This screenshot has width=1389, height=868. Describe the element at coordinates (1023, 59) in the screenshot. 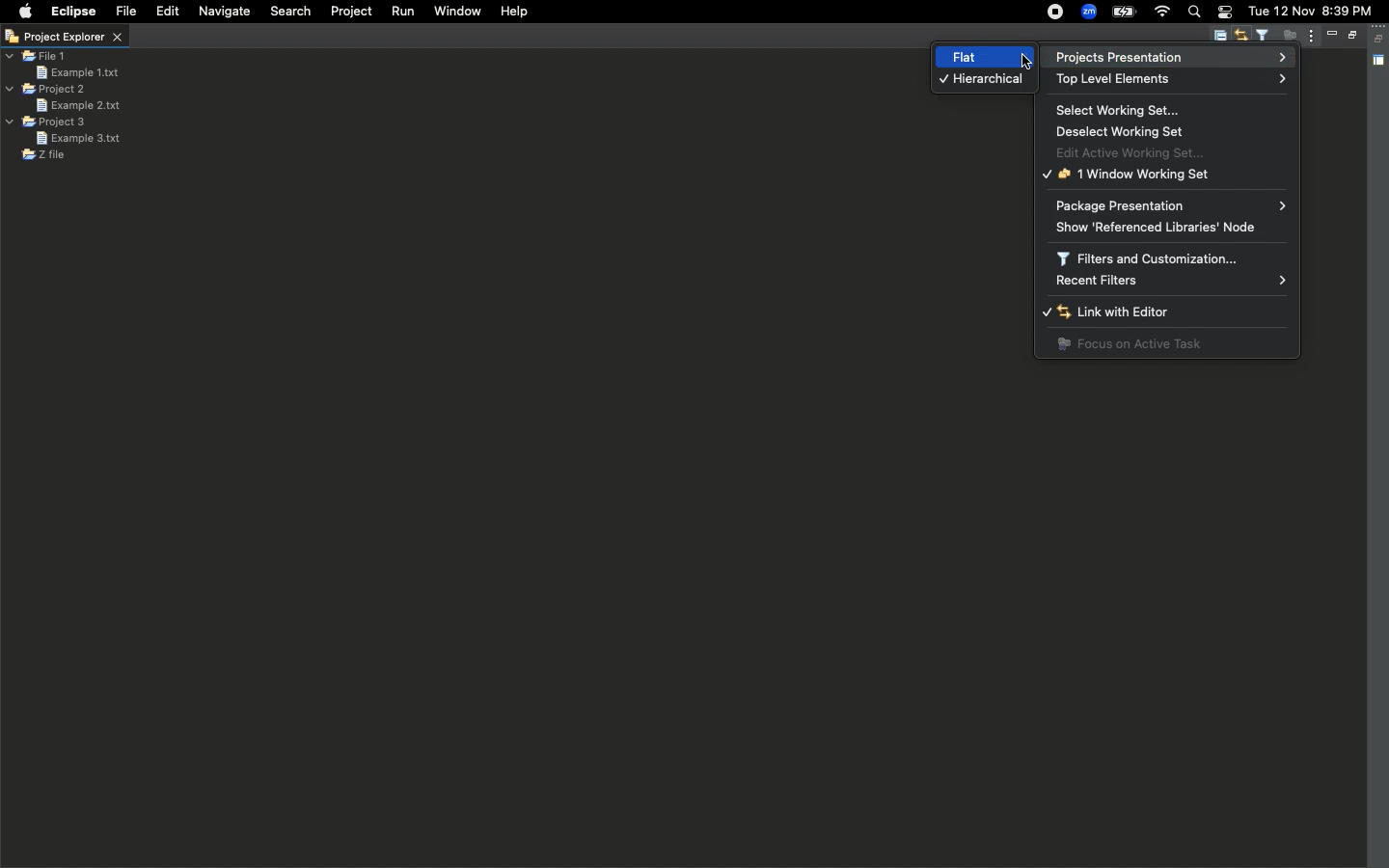

I see `Selecting flat` at that location.